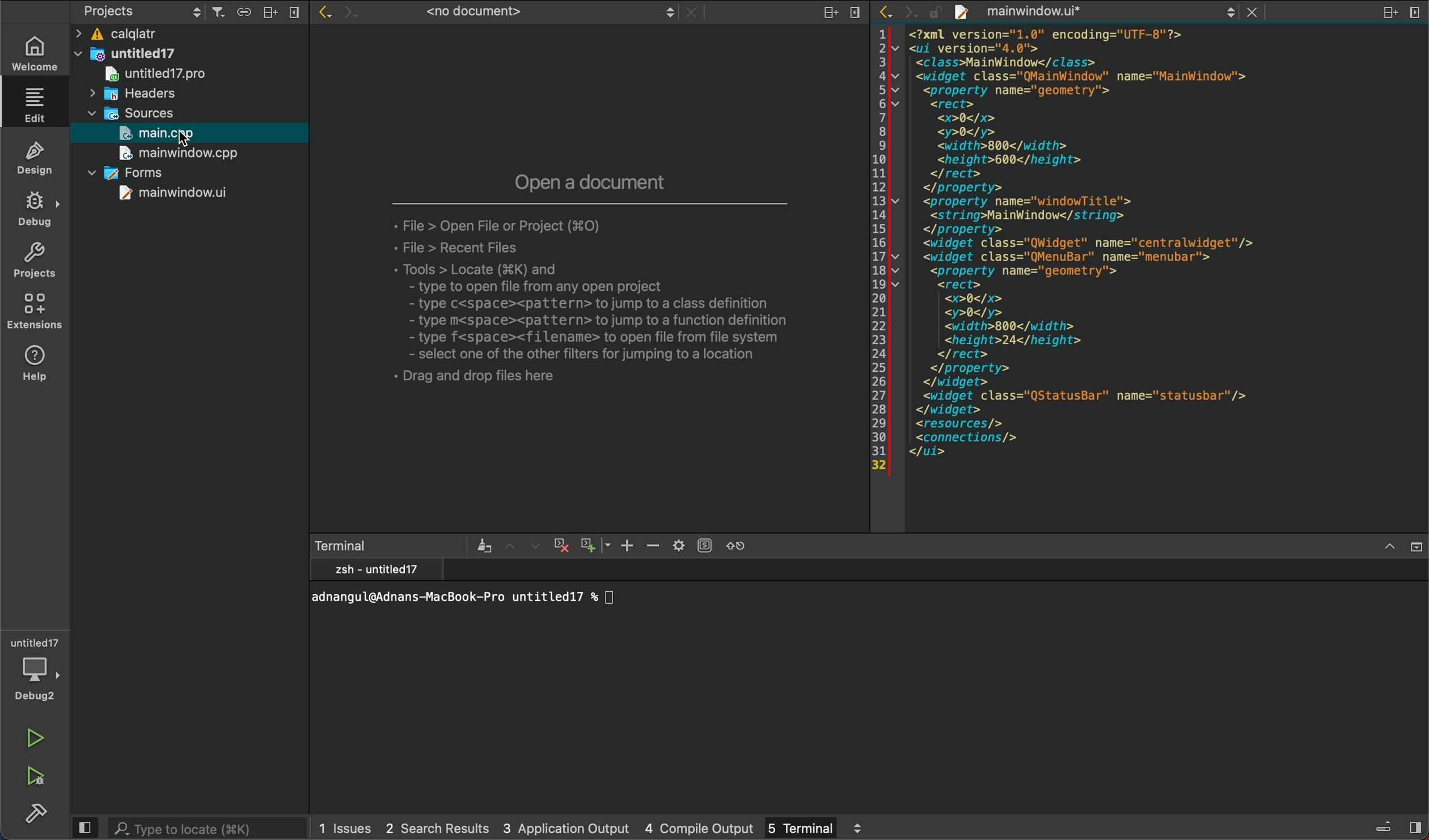  I want to click on remove split, so click(857, 15).